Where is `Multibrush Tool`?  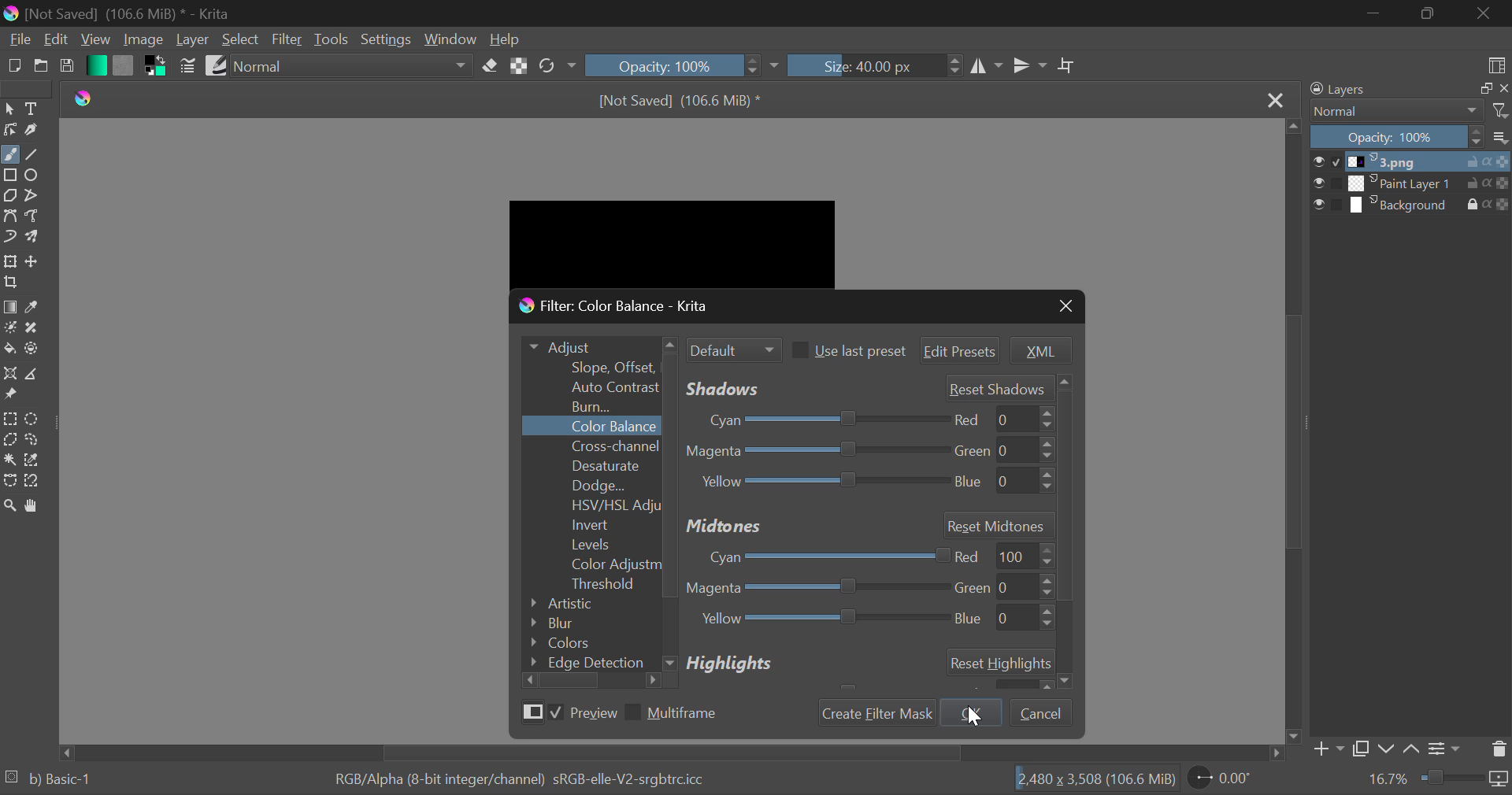
Multibrush Tool is located at coordinates (38, 238).